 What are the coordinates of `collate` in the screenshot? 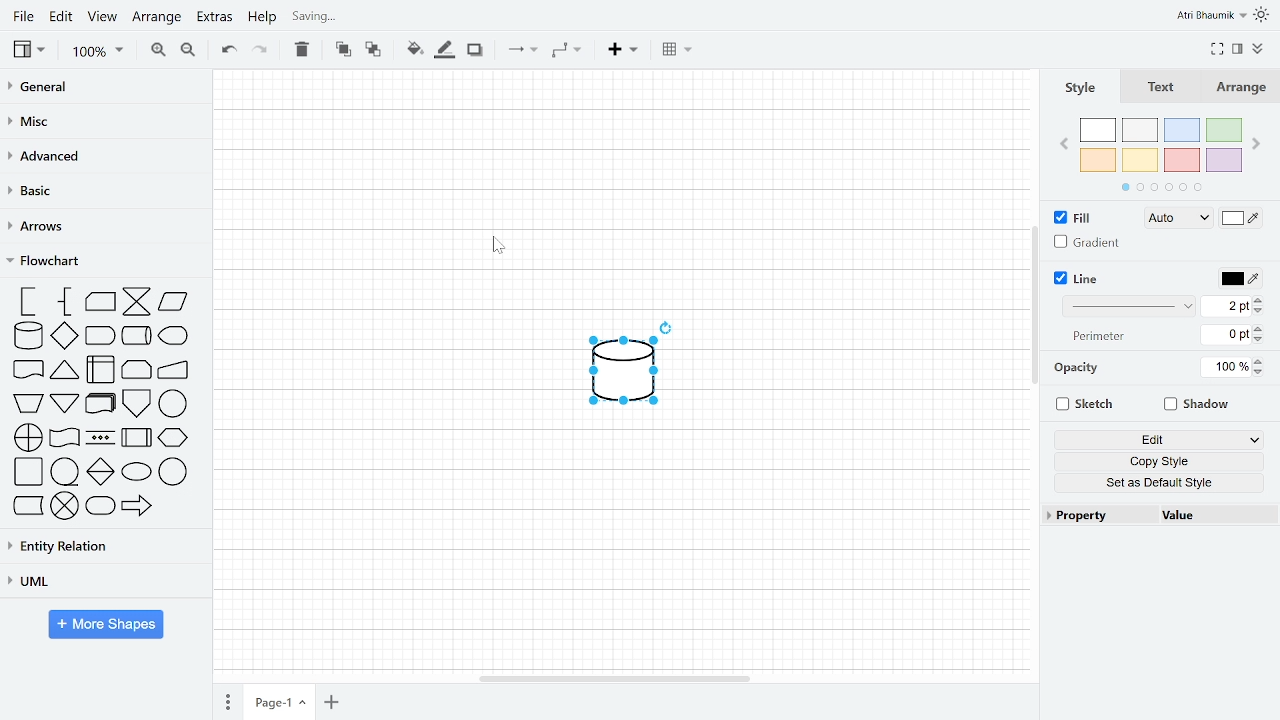 It's located at (137, 303).